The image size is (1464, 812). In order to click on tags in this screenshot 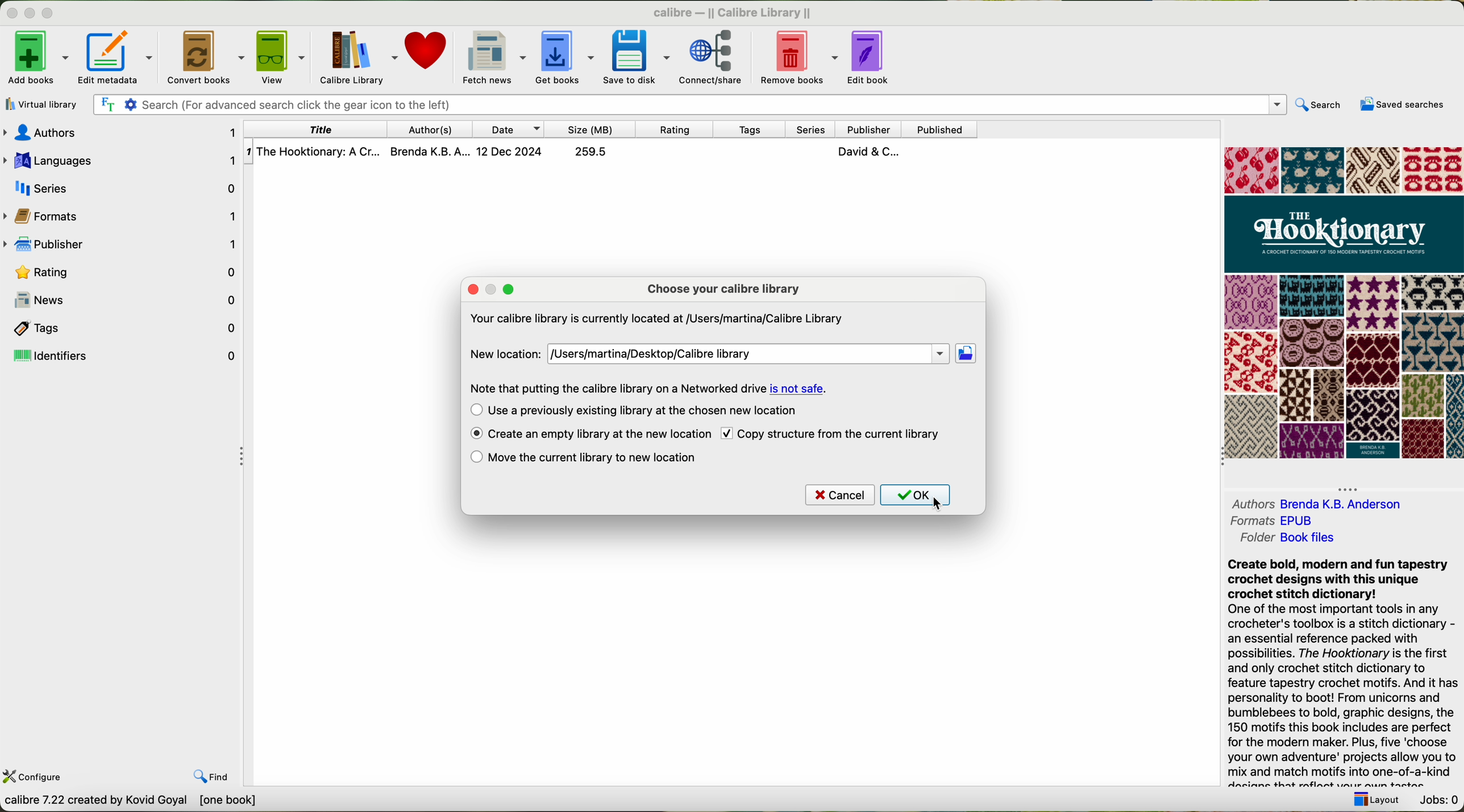, I will do `click(120, 329)`.